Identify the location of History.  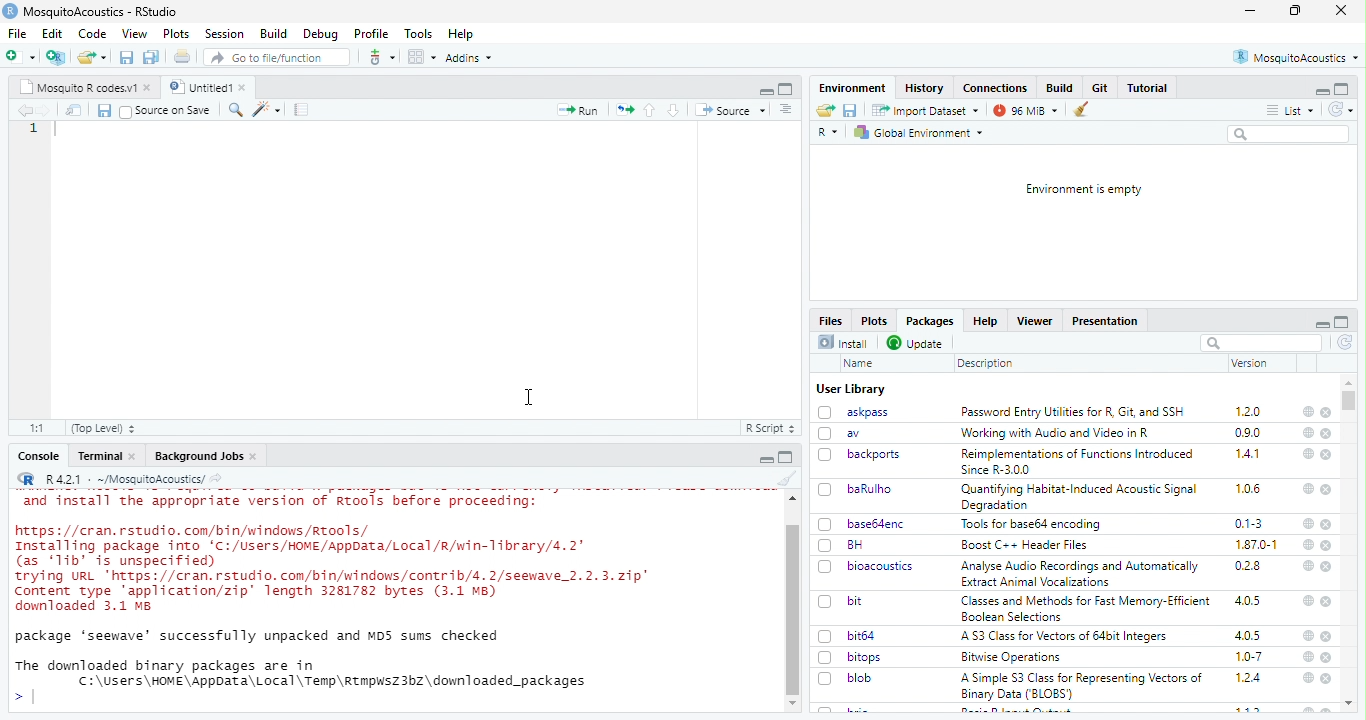
(925, 89).